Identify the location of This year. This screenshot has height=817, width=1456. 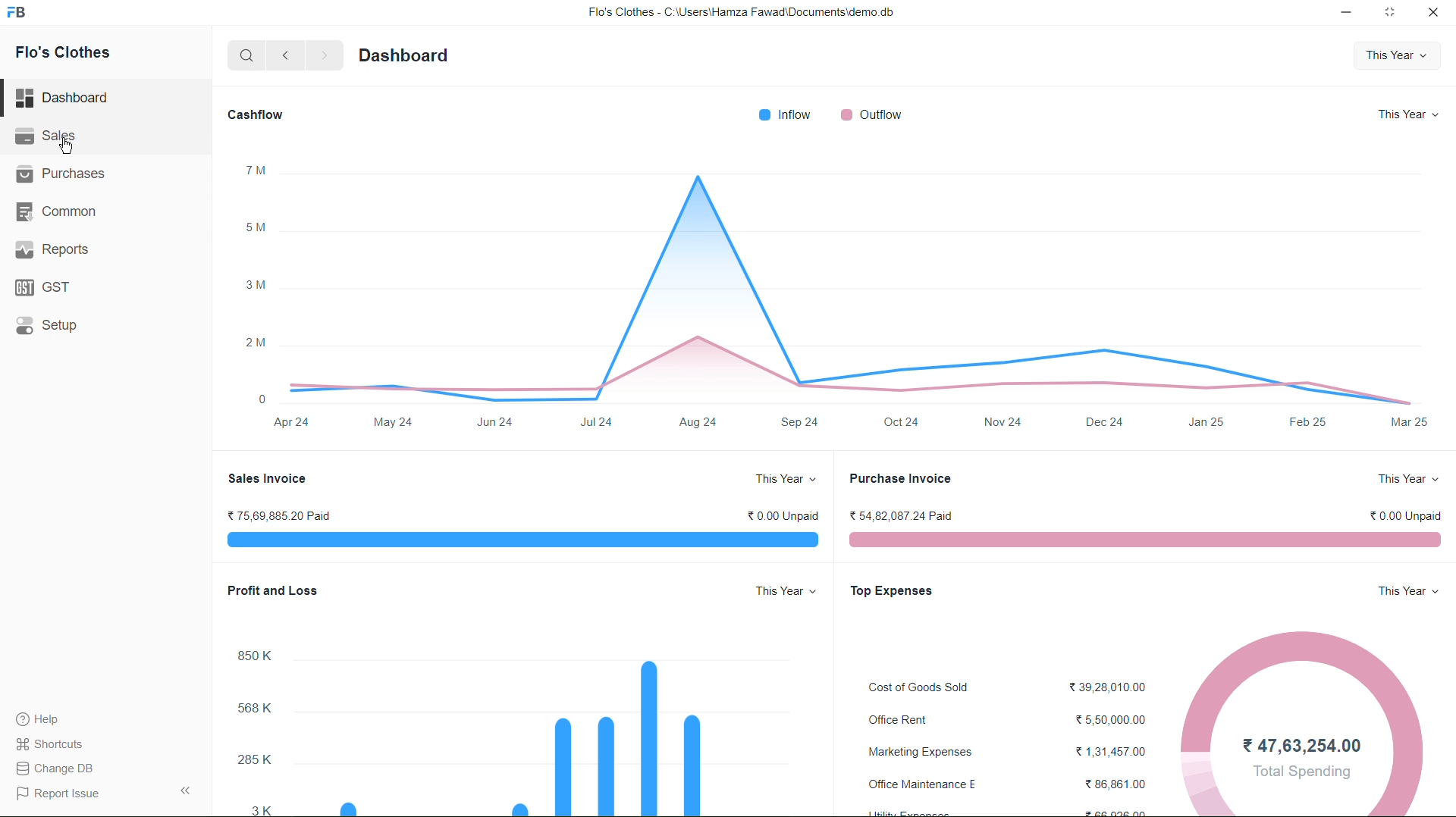
(1407, 593).